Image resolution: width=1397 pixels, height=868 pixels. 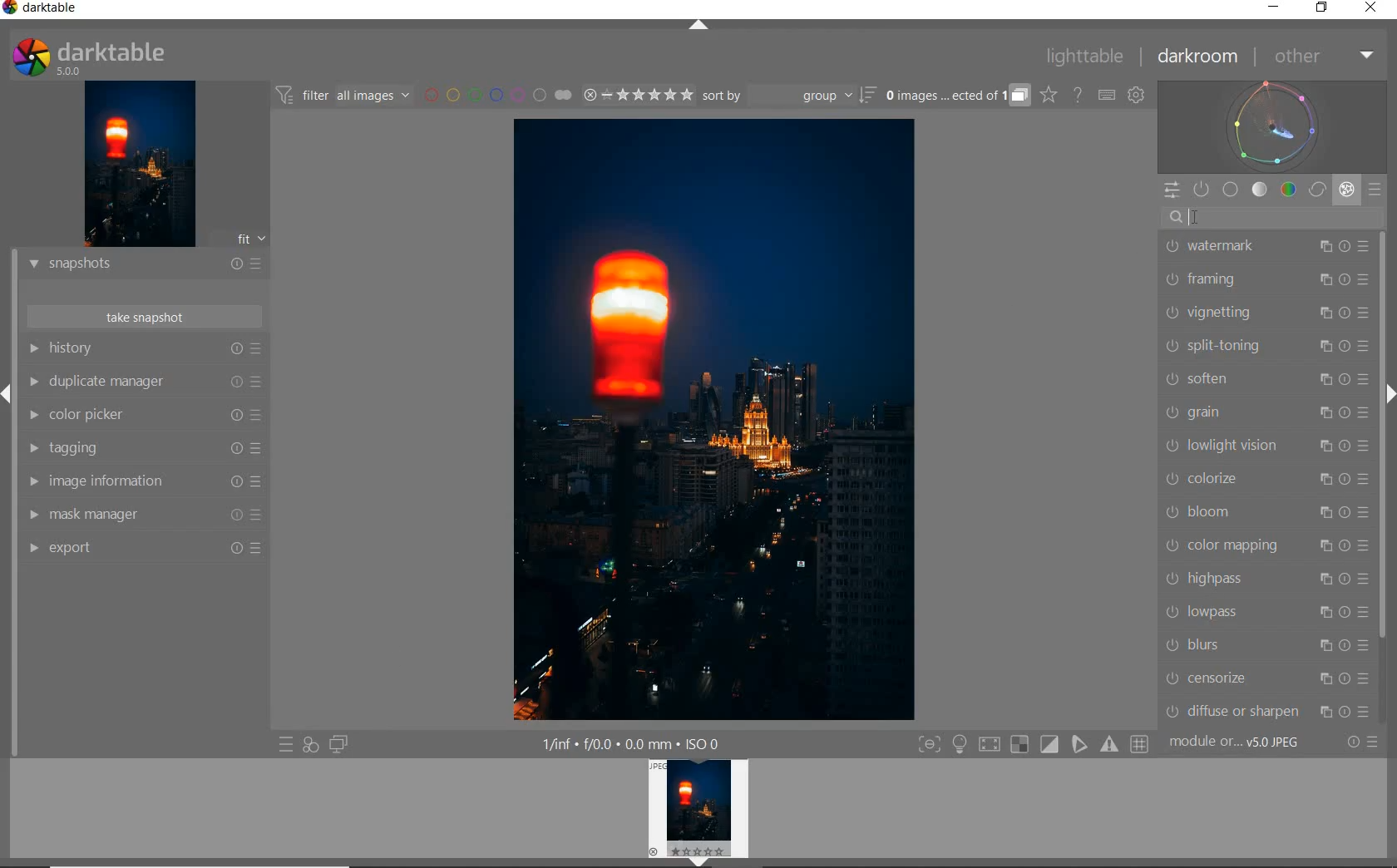 What do you see at coordinates (260, 417) in the screenshot?
I see `Preset and reset` at bounding box center [260, 417].